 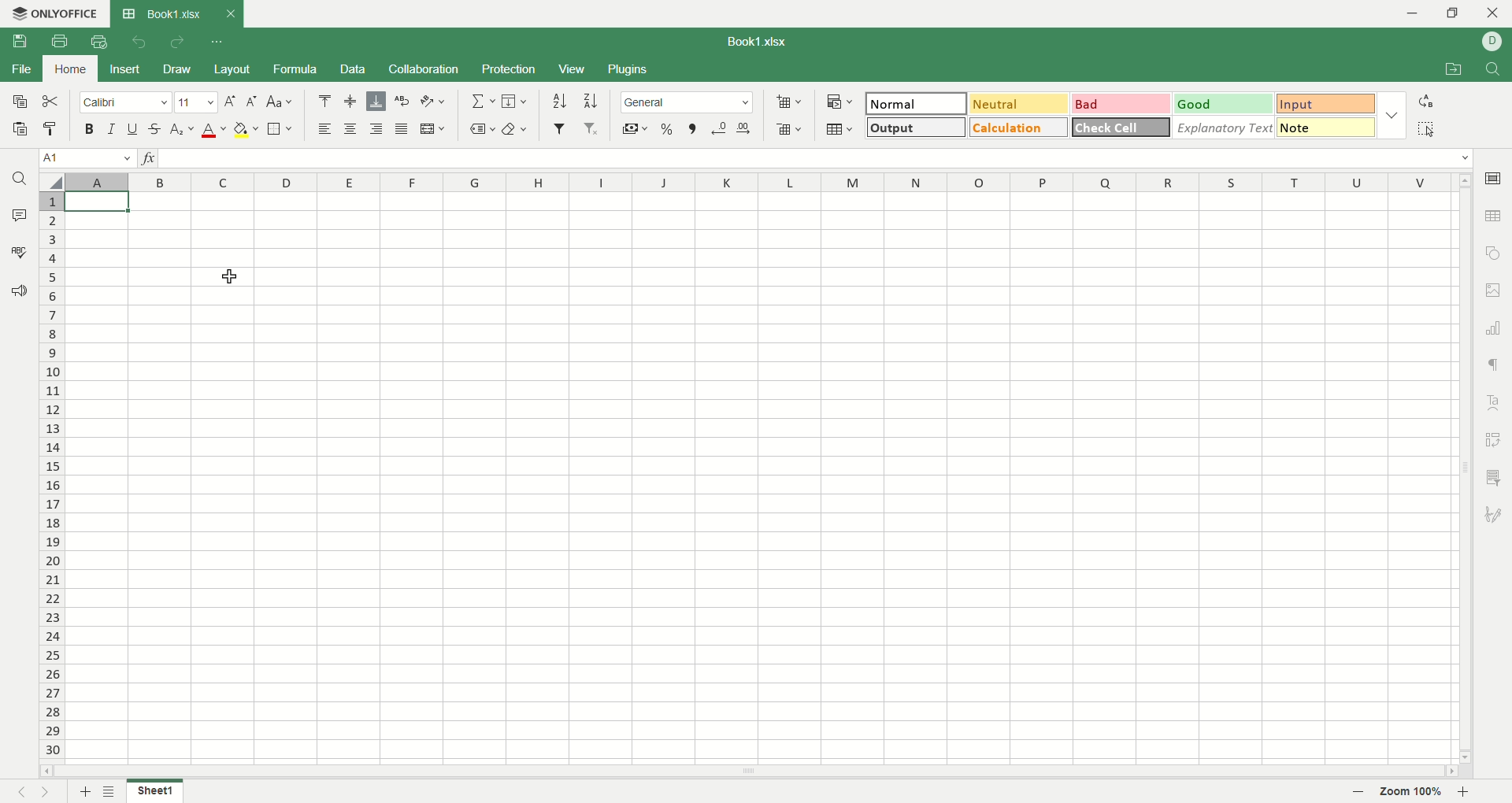 What do you see at coordinates (354, 130) in the screenshot?
I see `align center` at bounding box center [354, 130].